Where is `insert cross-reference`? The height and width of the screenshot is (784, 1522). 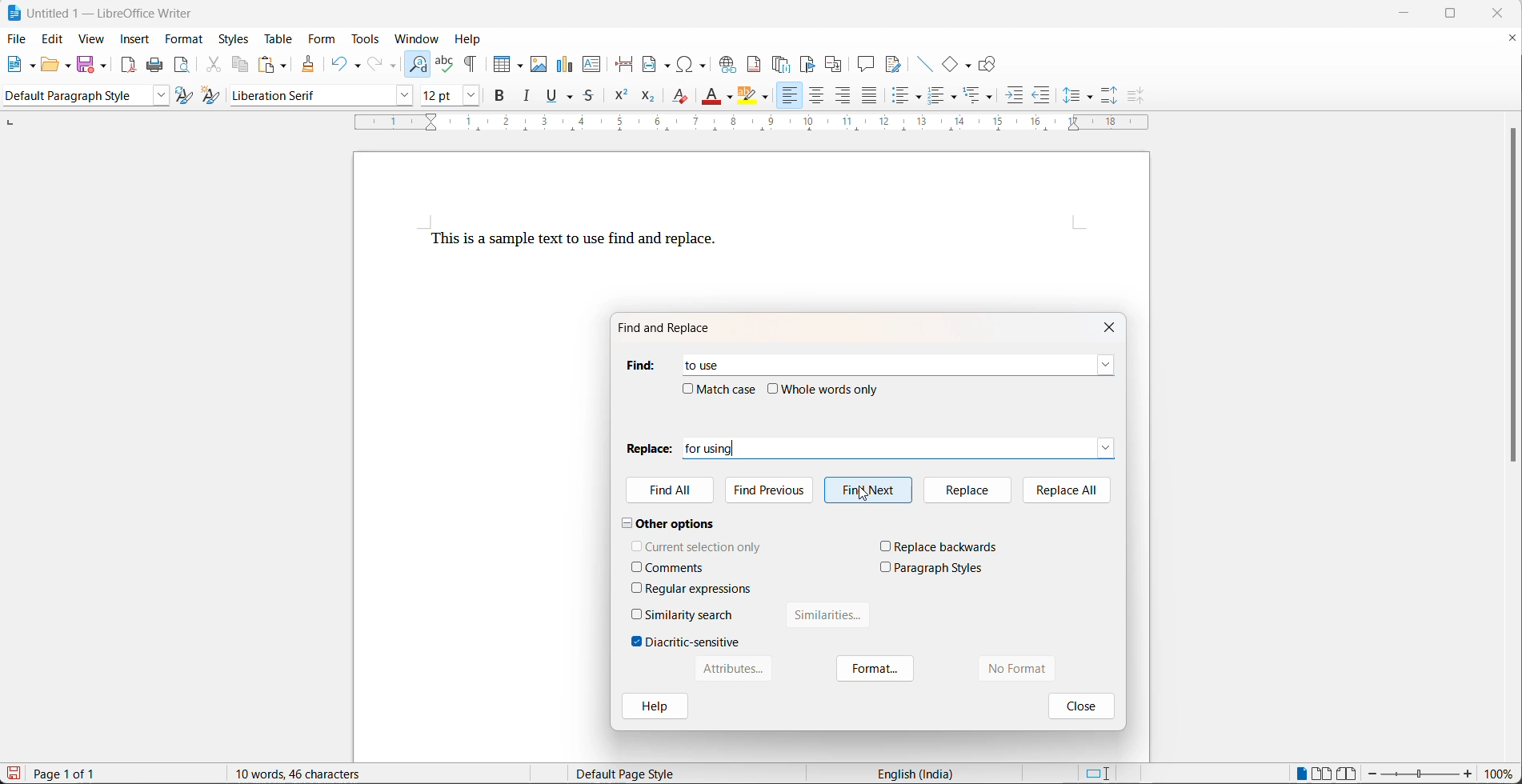
insert cross-reference is located at coordinates (834, 64).